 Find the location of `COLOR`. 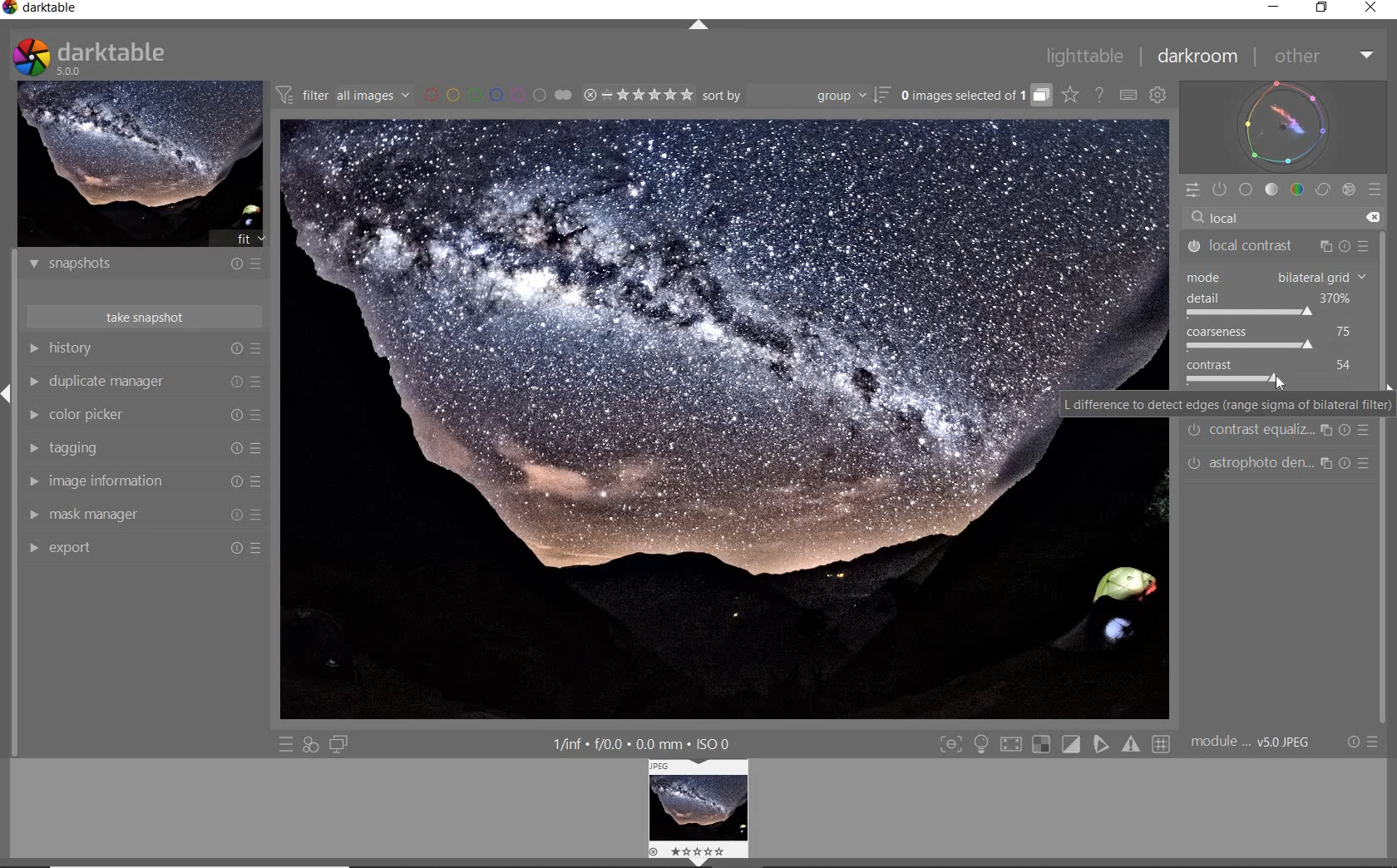

COLOR is located at coordinates (1298, 190).